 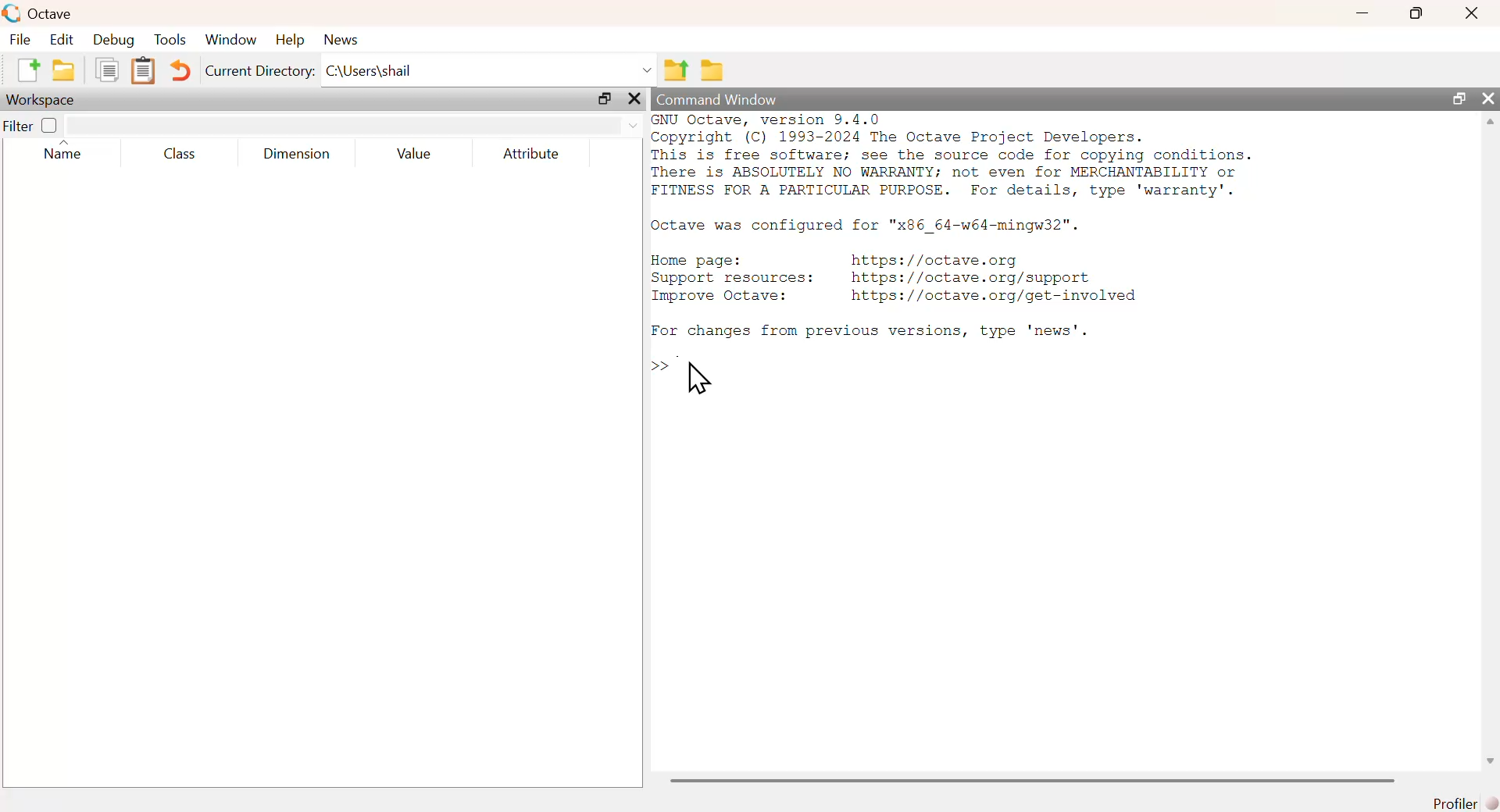 What do you see at coordinates (1361, 14) in the screenshot?
I see `minimize` at bounding box center [1361, 14].